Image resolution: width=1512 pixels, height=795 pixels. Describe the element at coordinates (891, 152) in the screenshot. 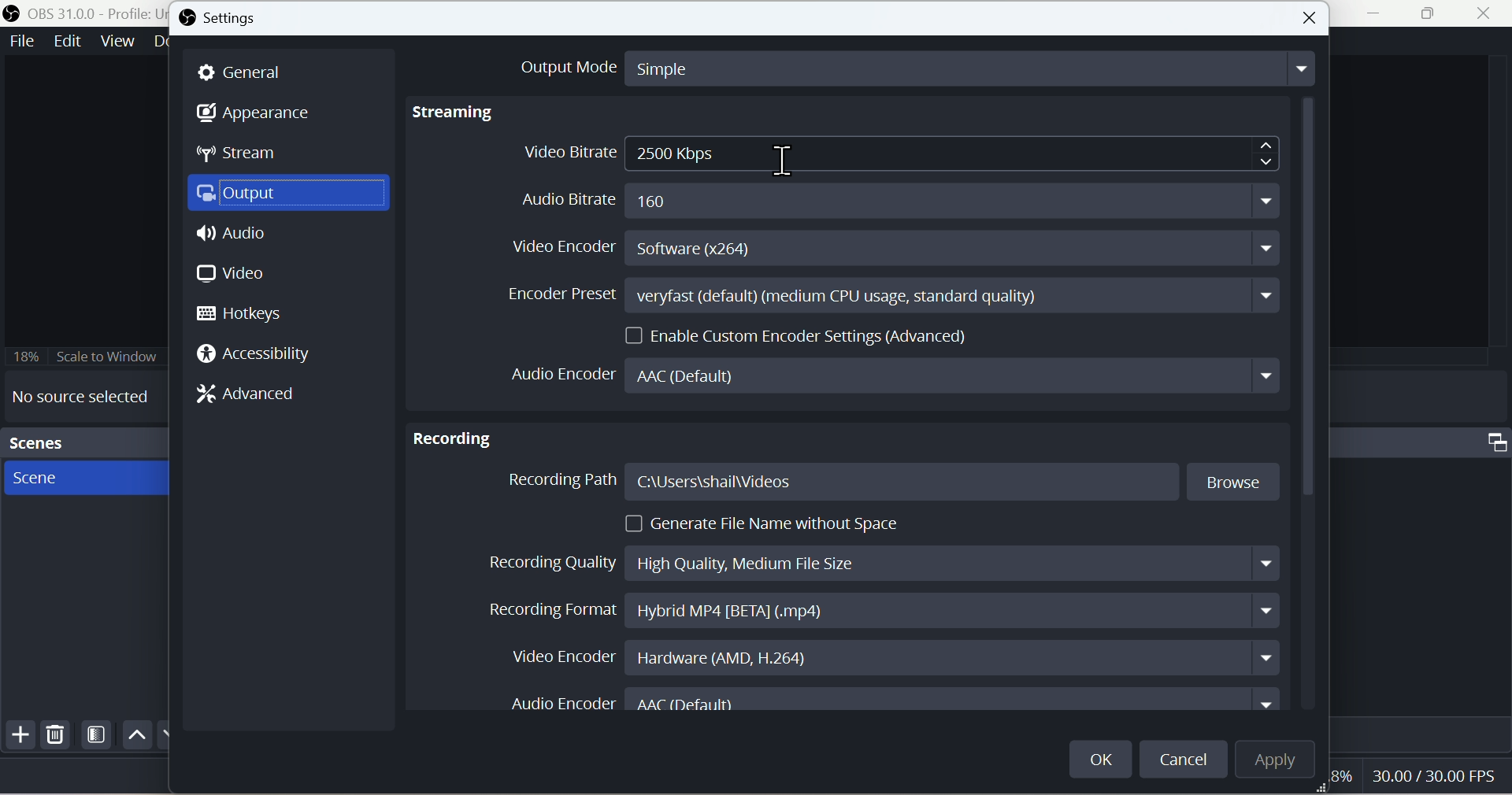

I see `Video Bitrate` at that location.